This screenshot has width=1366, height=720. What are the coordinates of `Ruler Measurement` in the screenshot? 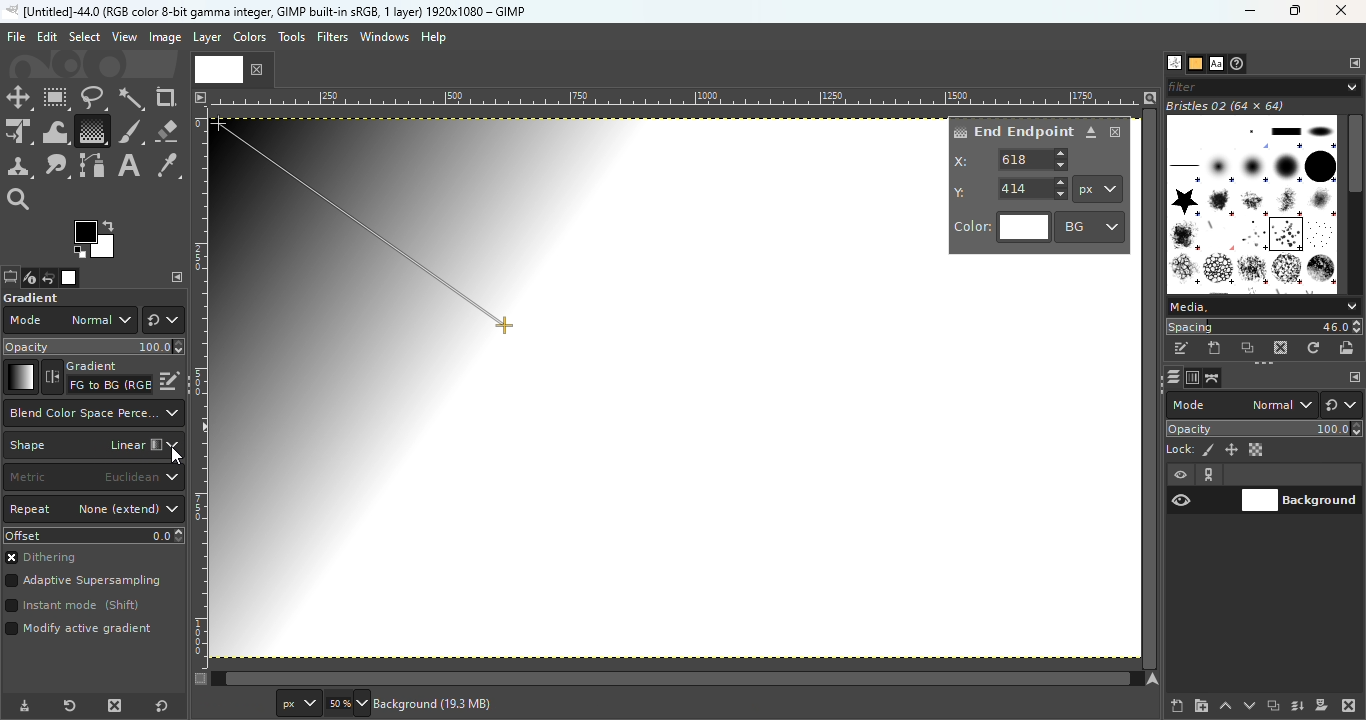 It's located at (677, 97).